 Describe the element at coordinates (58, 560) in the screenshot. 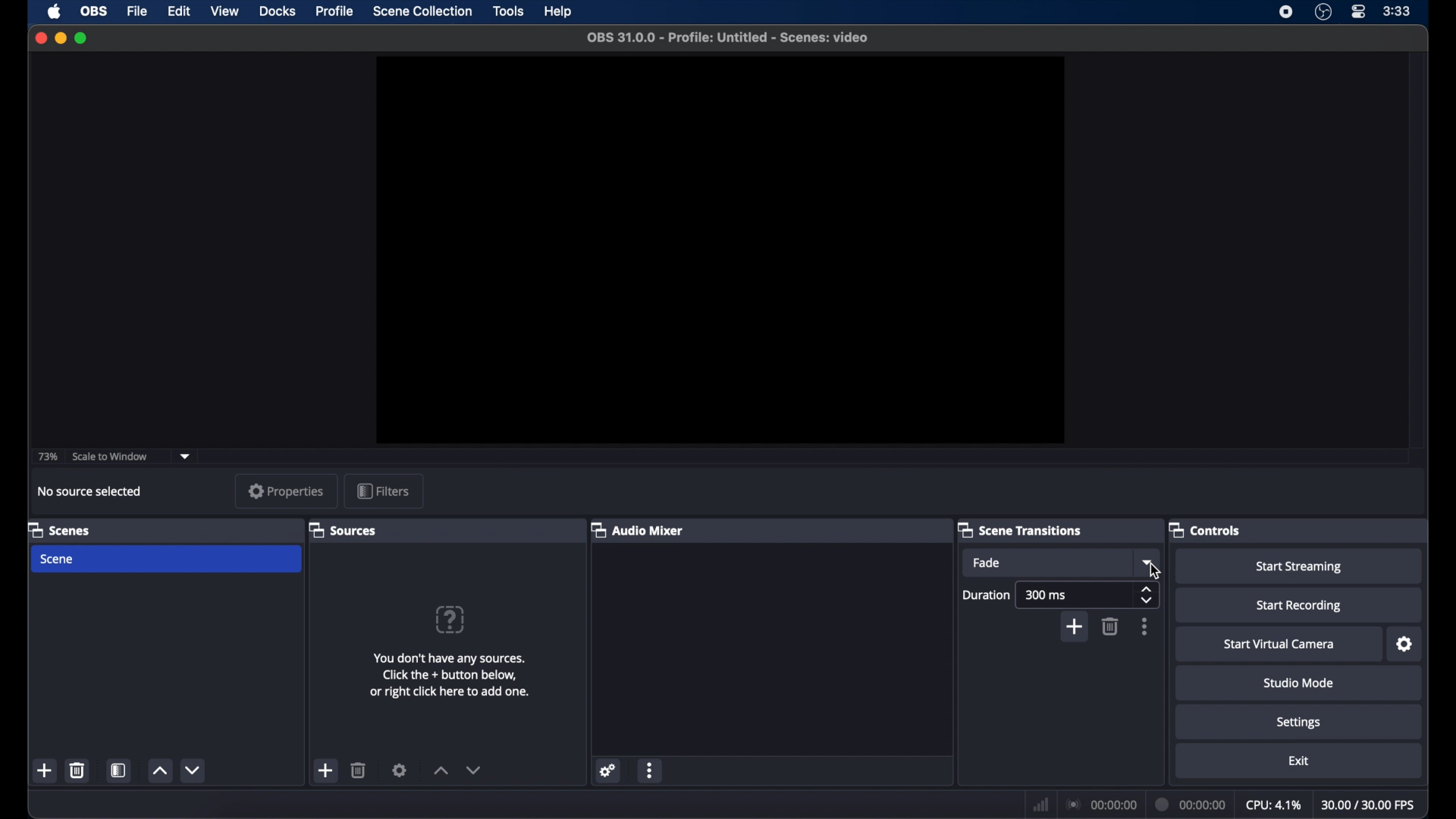

I see `scene` at that location.